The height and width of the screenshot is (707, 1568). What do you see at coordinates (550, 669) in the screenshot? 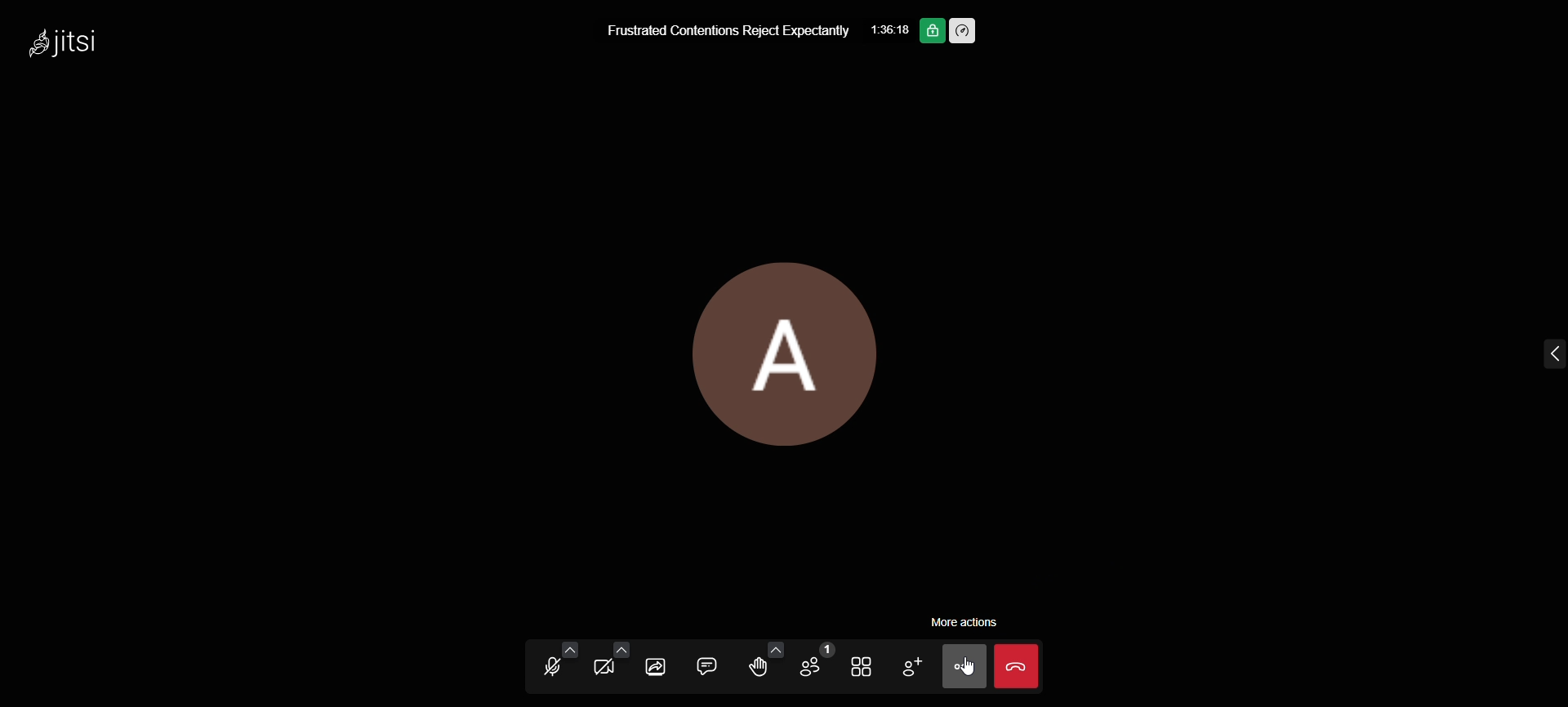
I see `unmute mic` at bounding box center [550, 669].